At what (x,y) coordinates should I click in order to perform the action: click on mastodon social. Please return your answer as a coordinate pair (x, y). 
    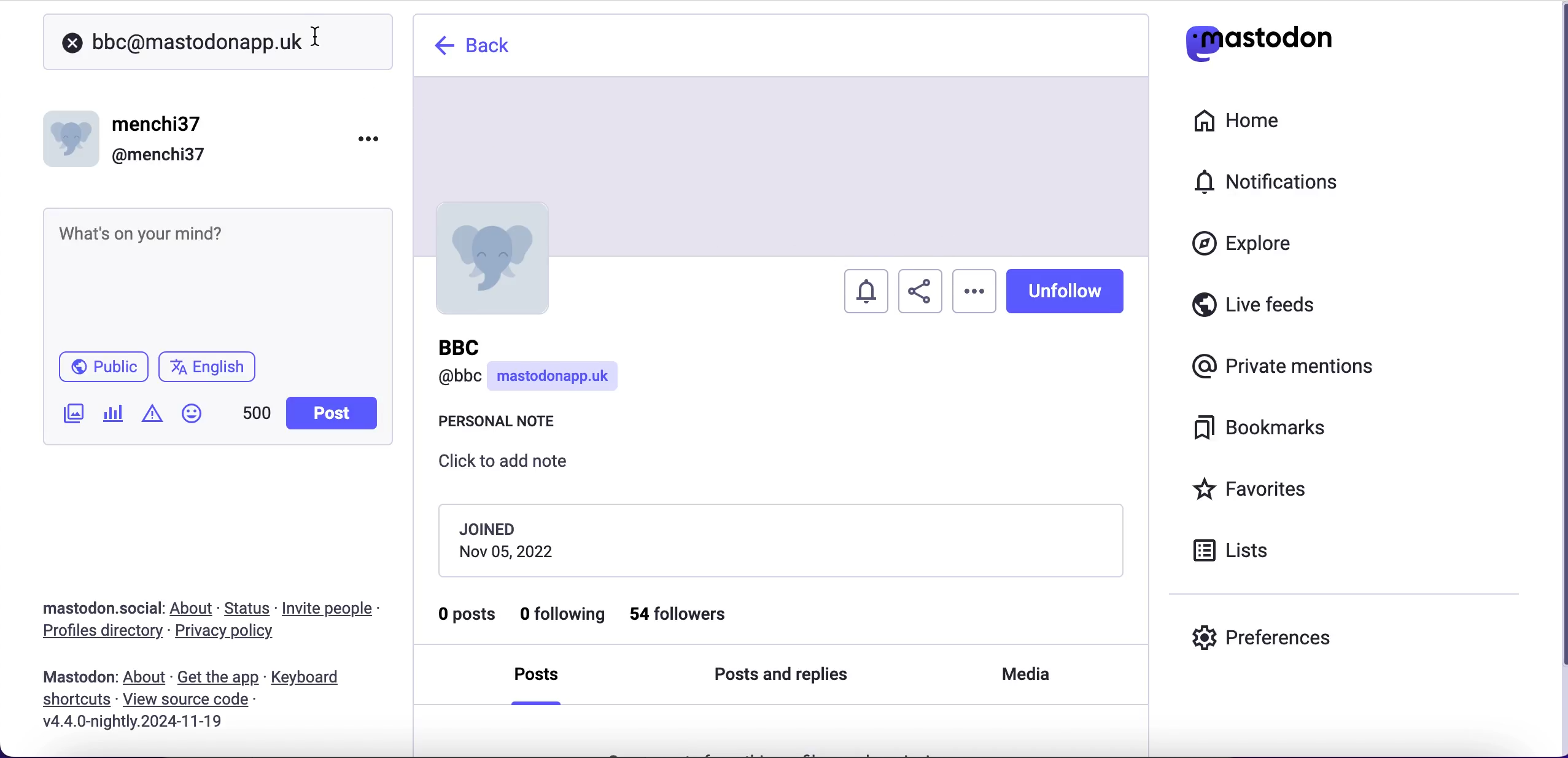
    Looking at the image, I should click on (86, 609).